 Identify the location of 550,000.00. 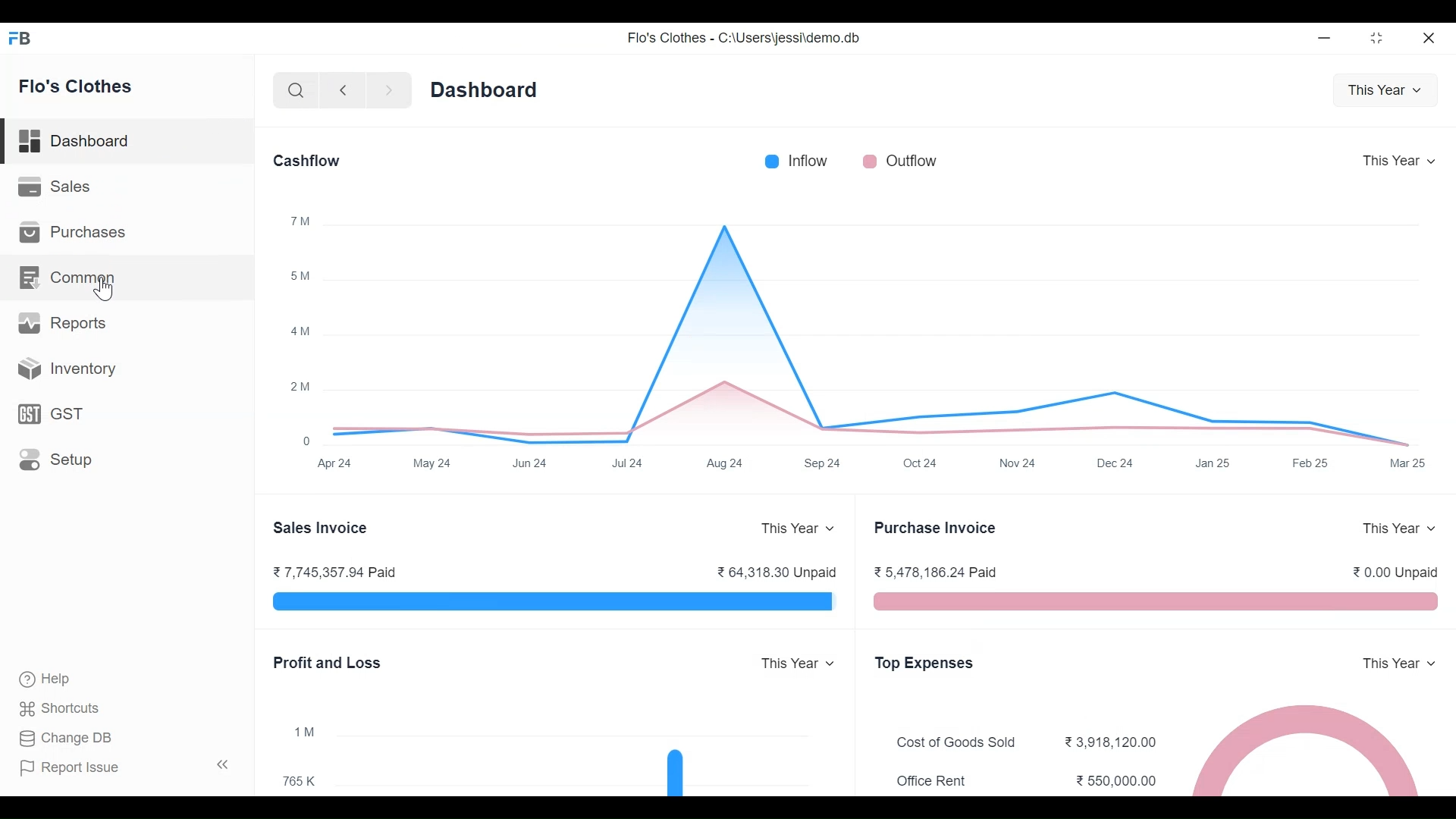
(1118, 780).